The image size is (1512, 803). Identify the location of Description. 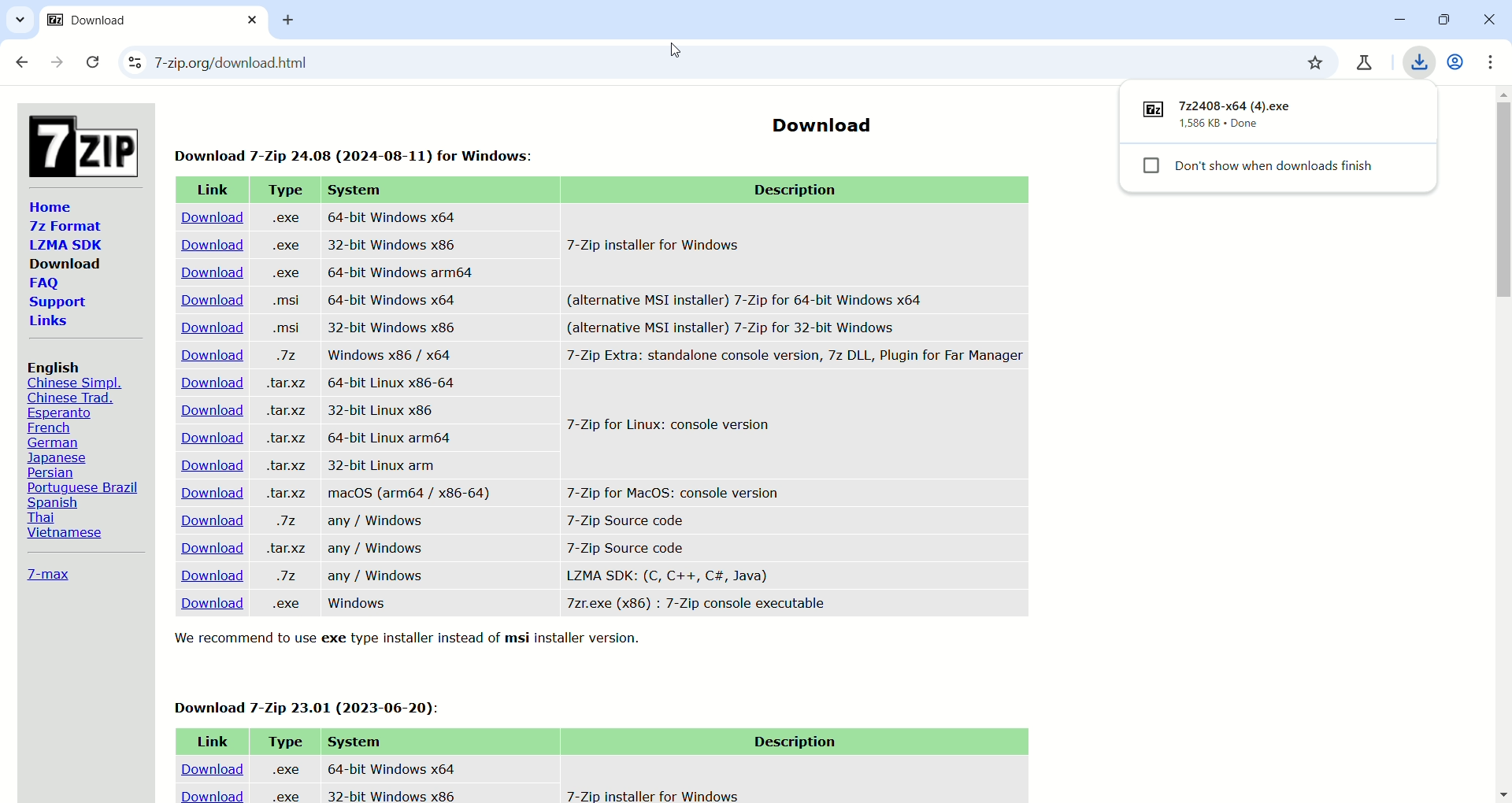
(802, 191).